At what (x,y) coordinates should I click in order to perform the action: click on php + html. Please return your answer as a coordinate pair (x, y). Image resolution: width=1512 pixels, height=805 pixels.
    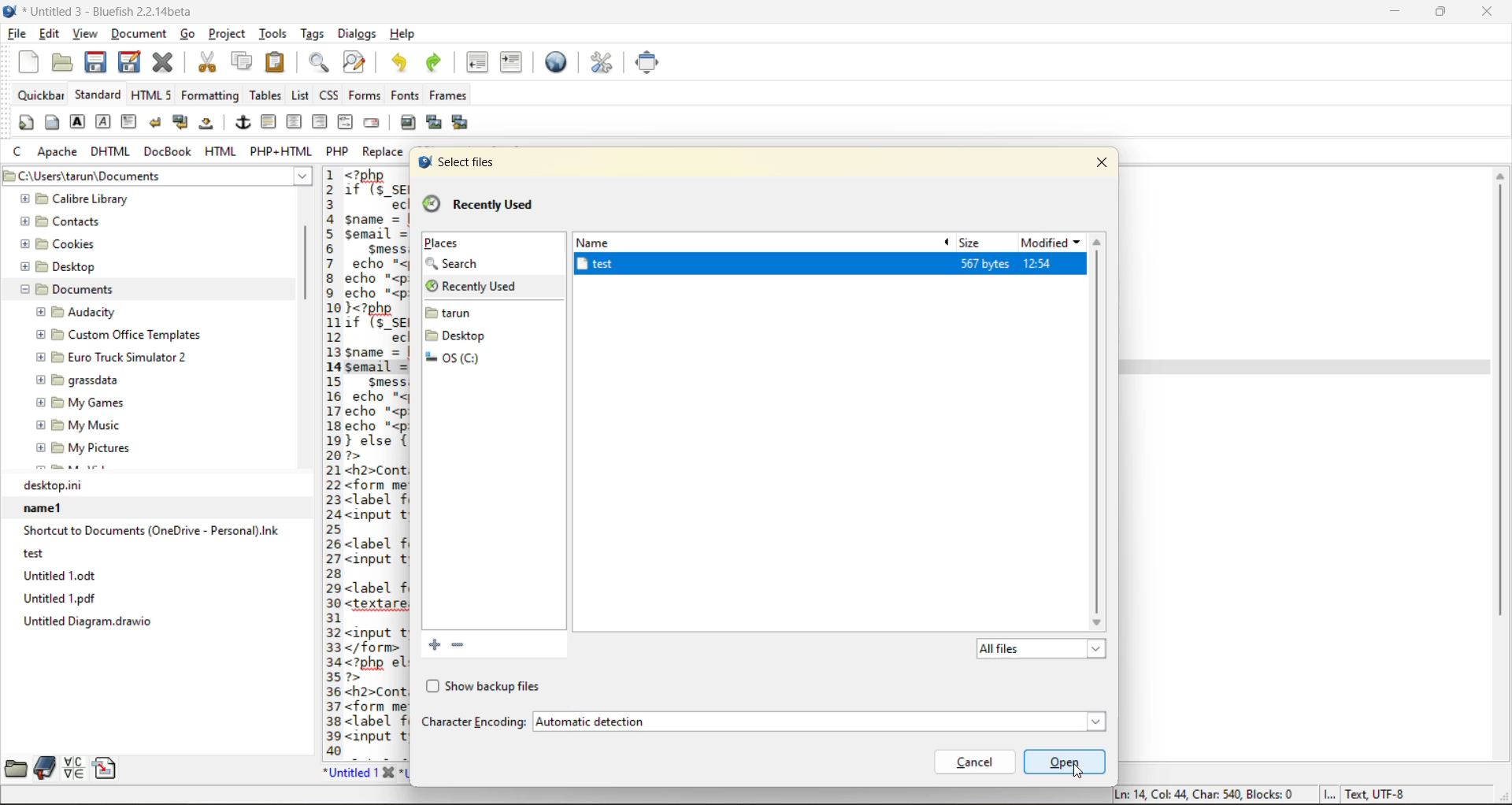
    Looking at the image, I should click on (282, 154).